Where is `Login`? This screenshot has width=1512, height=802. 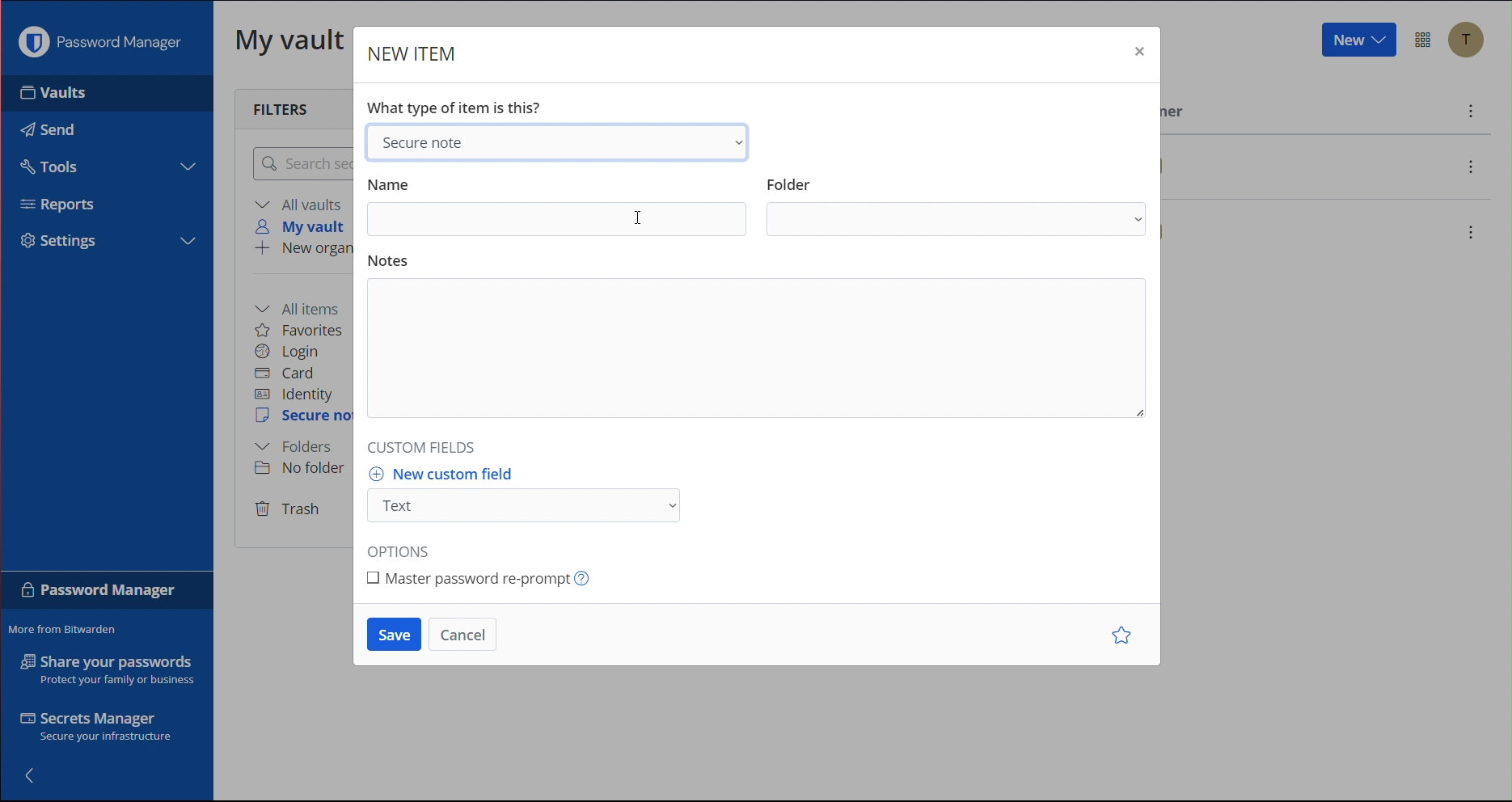
Login is located at coordinates (291, 352).